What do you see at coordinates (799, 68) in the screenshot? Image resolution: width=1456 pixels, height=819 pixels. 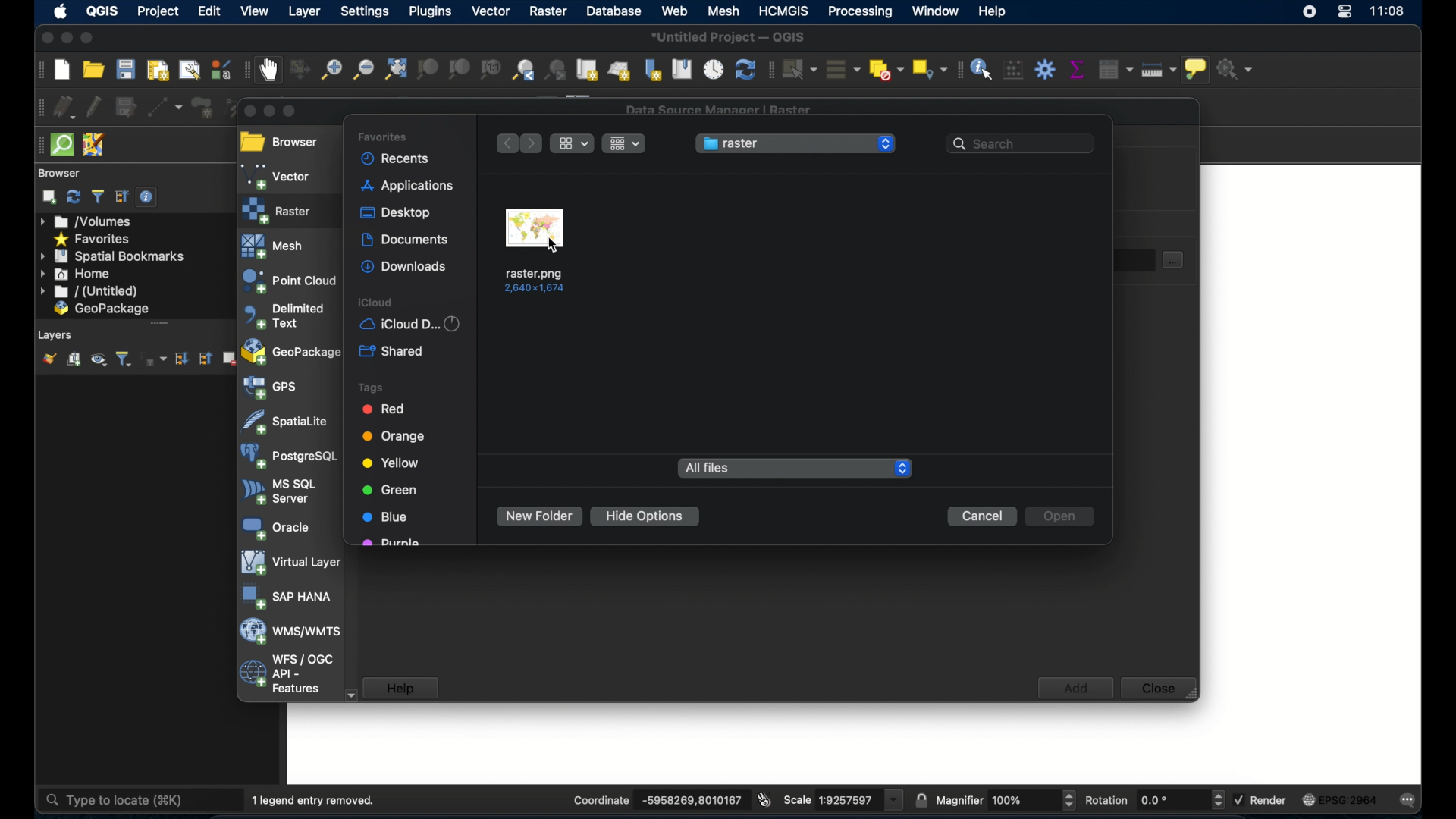 I see `select features by area or single click` at bounding box center [799, 68].